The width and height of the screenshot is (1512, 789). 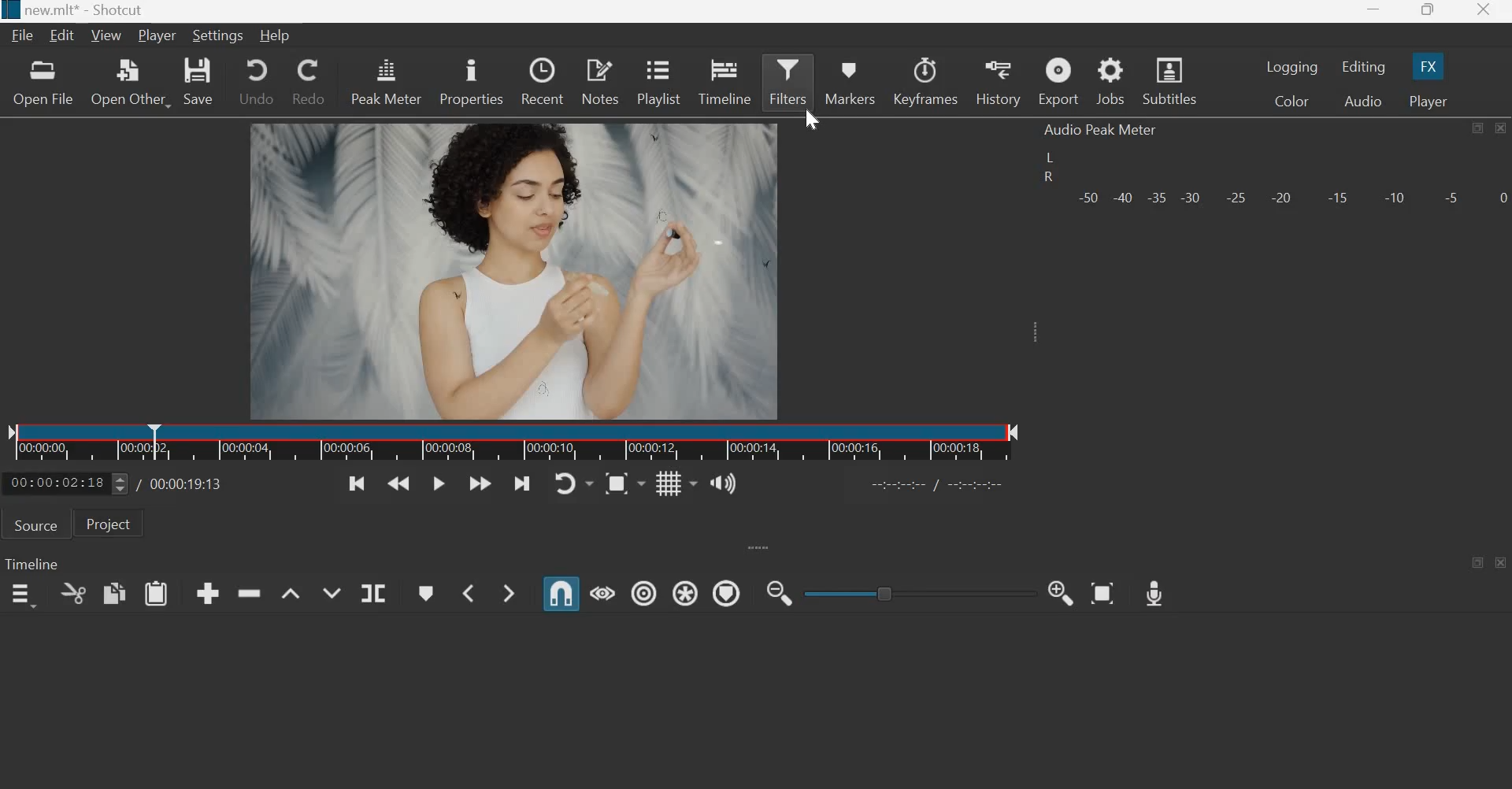 I want to click on Keyframes, so click(x=927, y=81).